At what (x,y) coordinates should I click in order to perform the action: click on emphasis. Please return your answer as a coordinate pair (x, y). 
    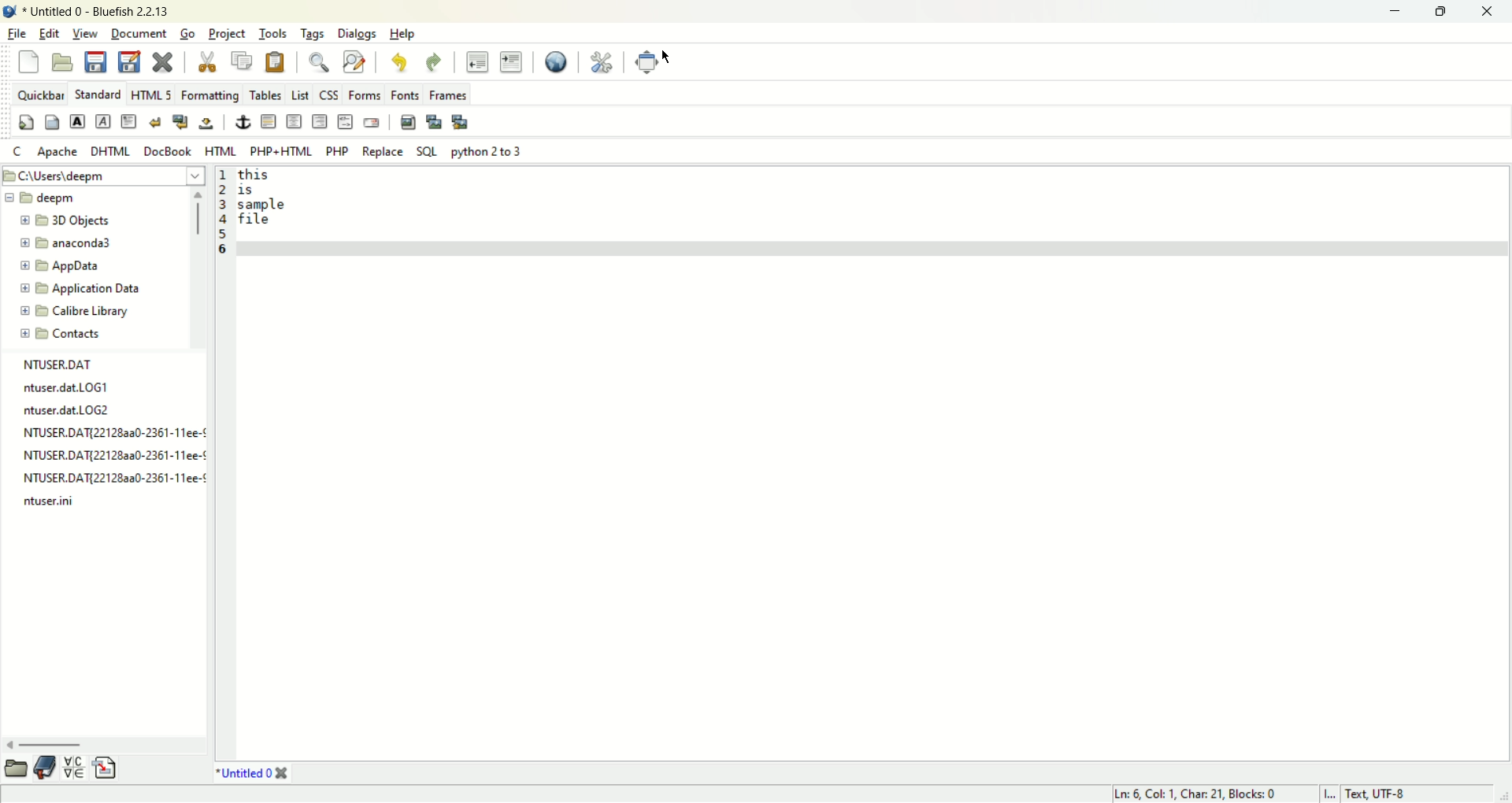
    Looking at the image, I should click on (103, 121).